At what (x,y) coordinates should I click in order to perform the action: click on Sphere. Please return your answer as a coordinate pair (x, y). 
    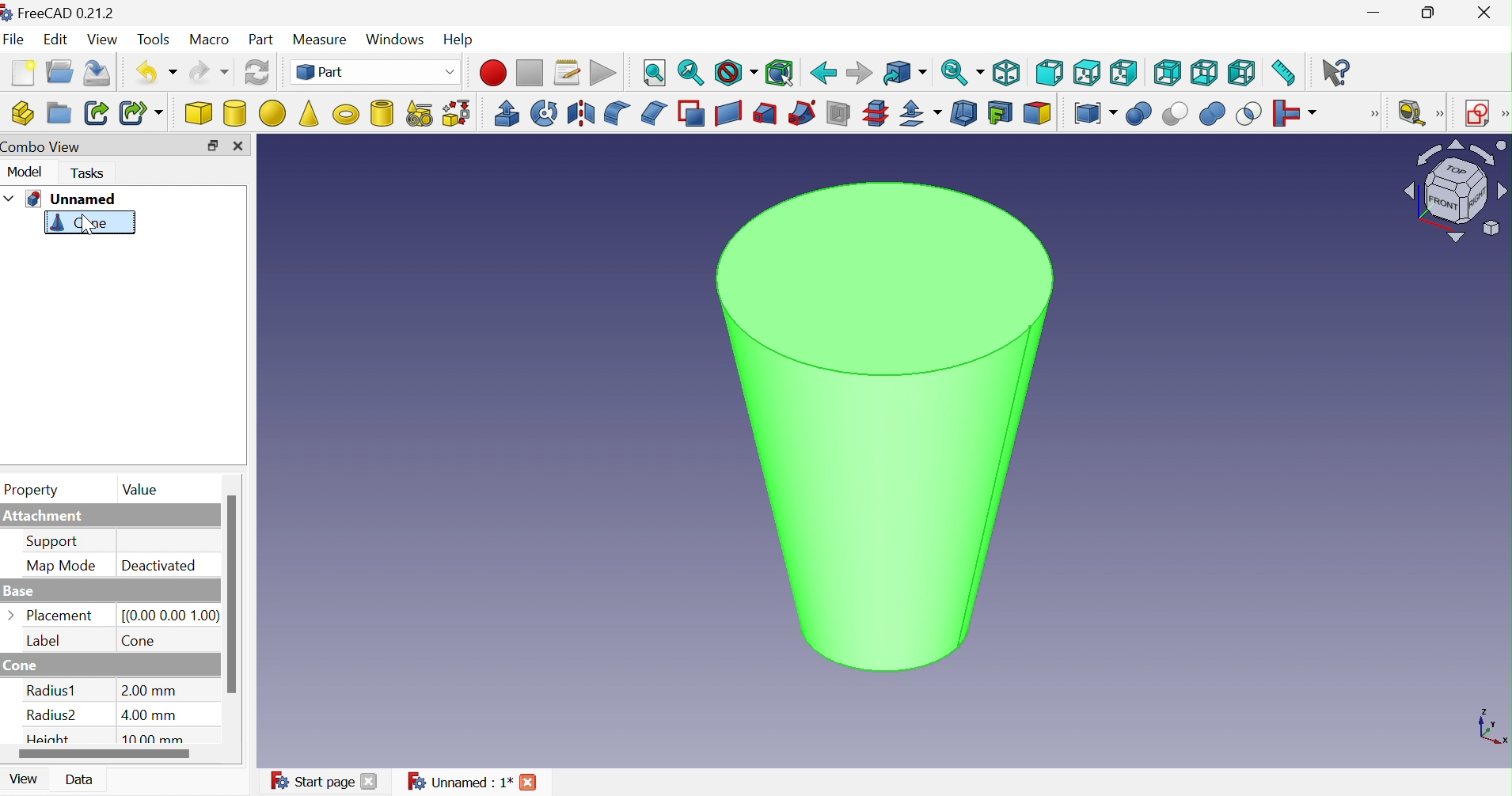
    Looking at the image, I should click on (272, 114).